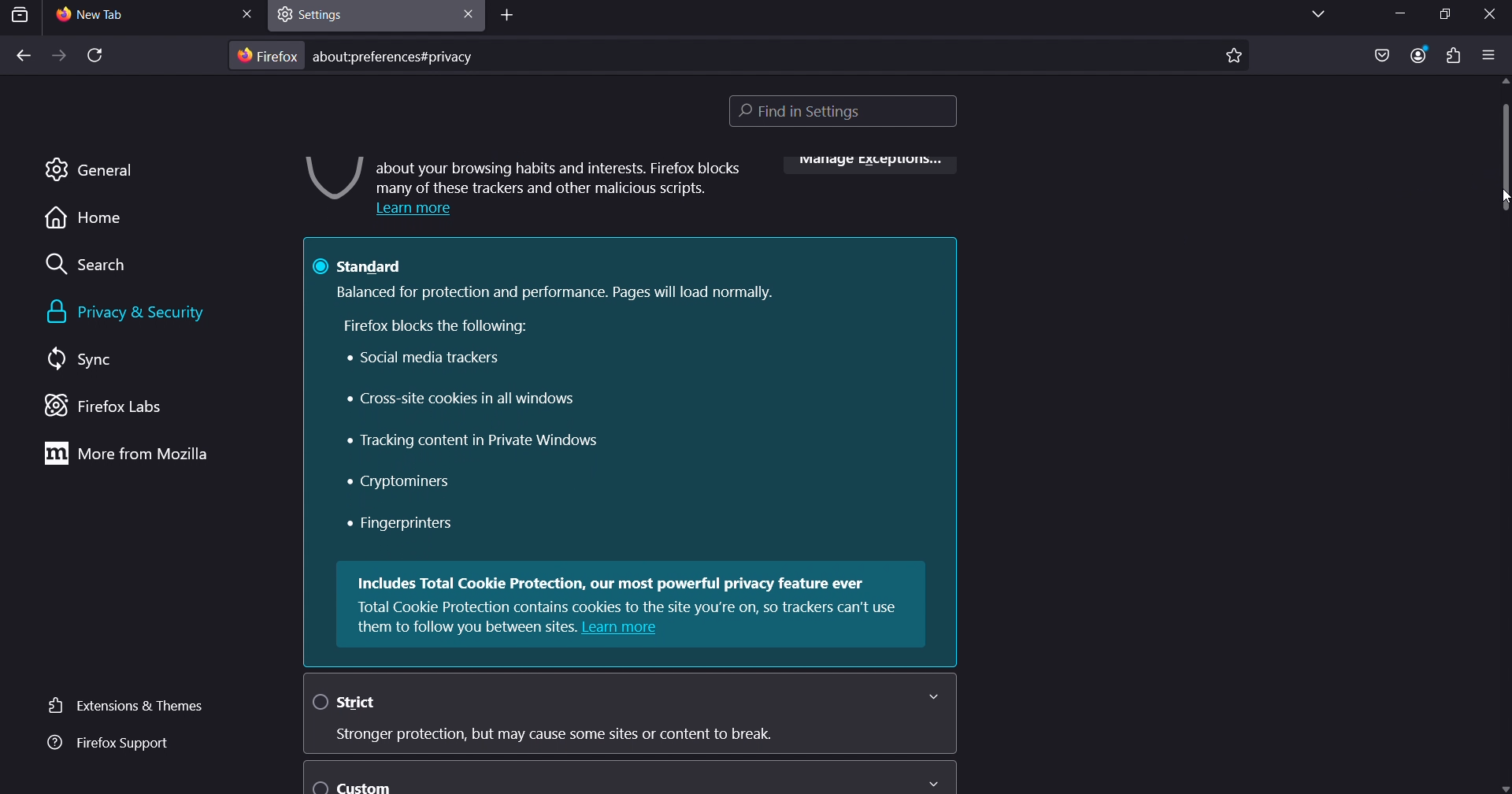 This screenshot has height=794, width=1512. Describe the element at coordinates (265, 54) in the screenshot. I see `firefox` at that location.